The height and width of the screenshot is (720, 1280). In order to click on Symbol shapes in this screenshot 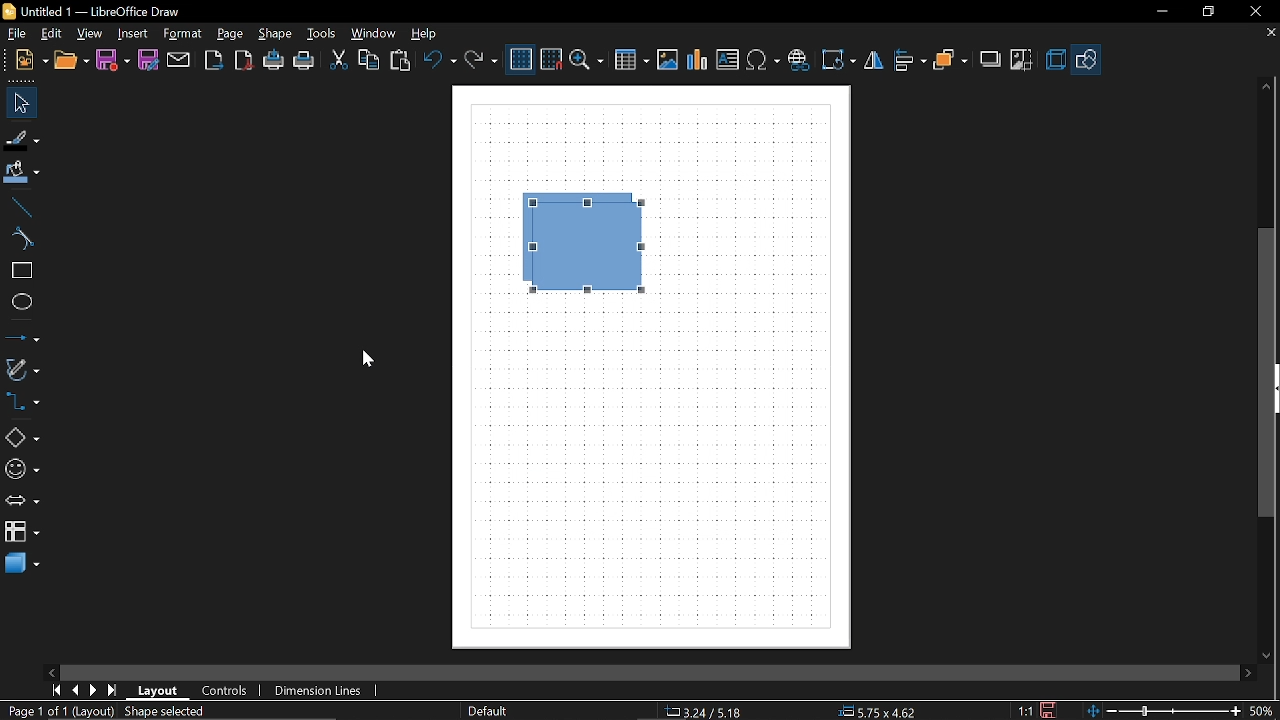, I will do `click(23, 466)`.